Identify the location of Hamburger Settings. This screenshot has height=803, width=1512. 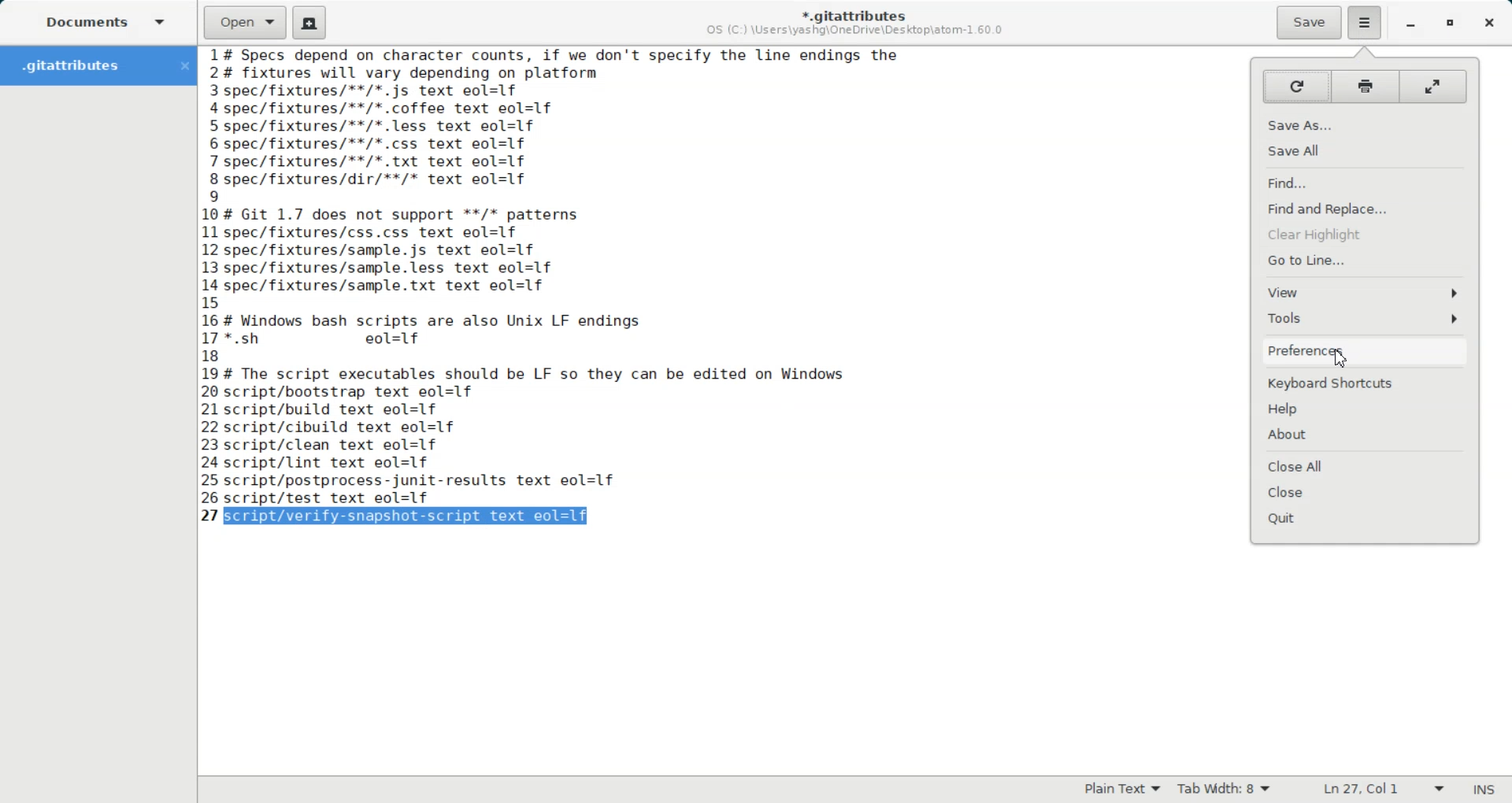
(1366, 20).